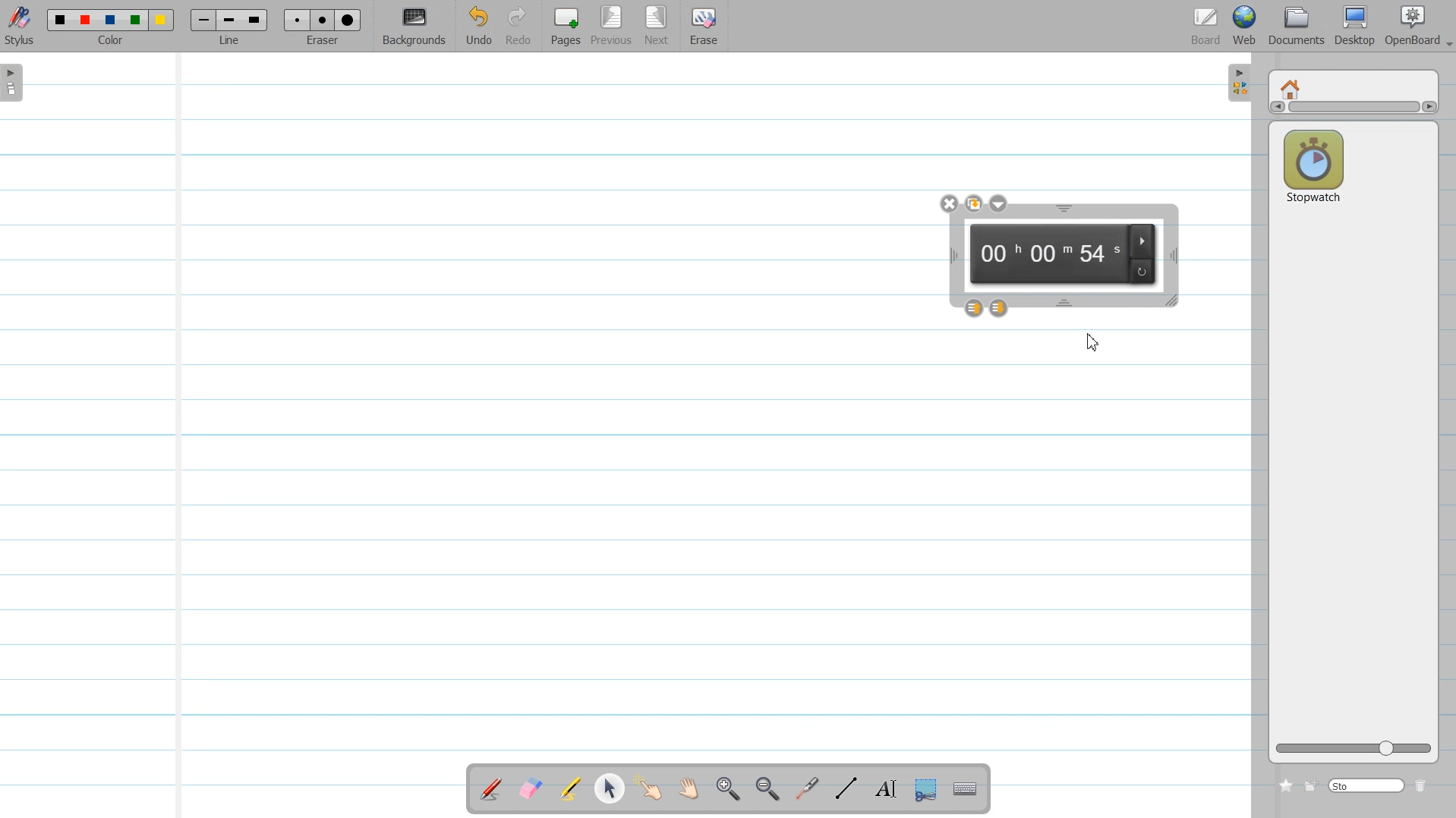  Describe the element at coordinates (972, 203) in the screenshot. I see `Duplicate ` at that location.